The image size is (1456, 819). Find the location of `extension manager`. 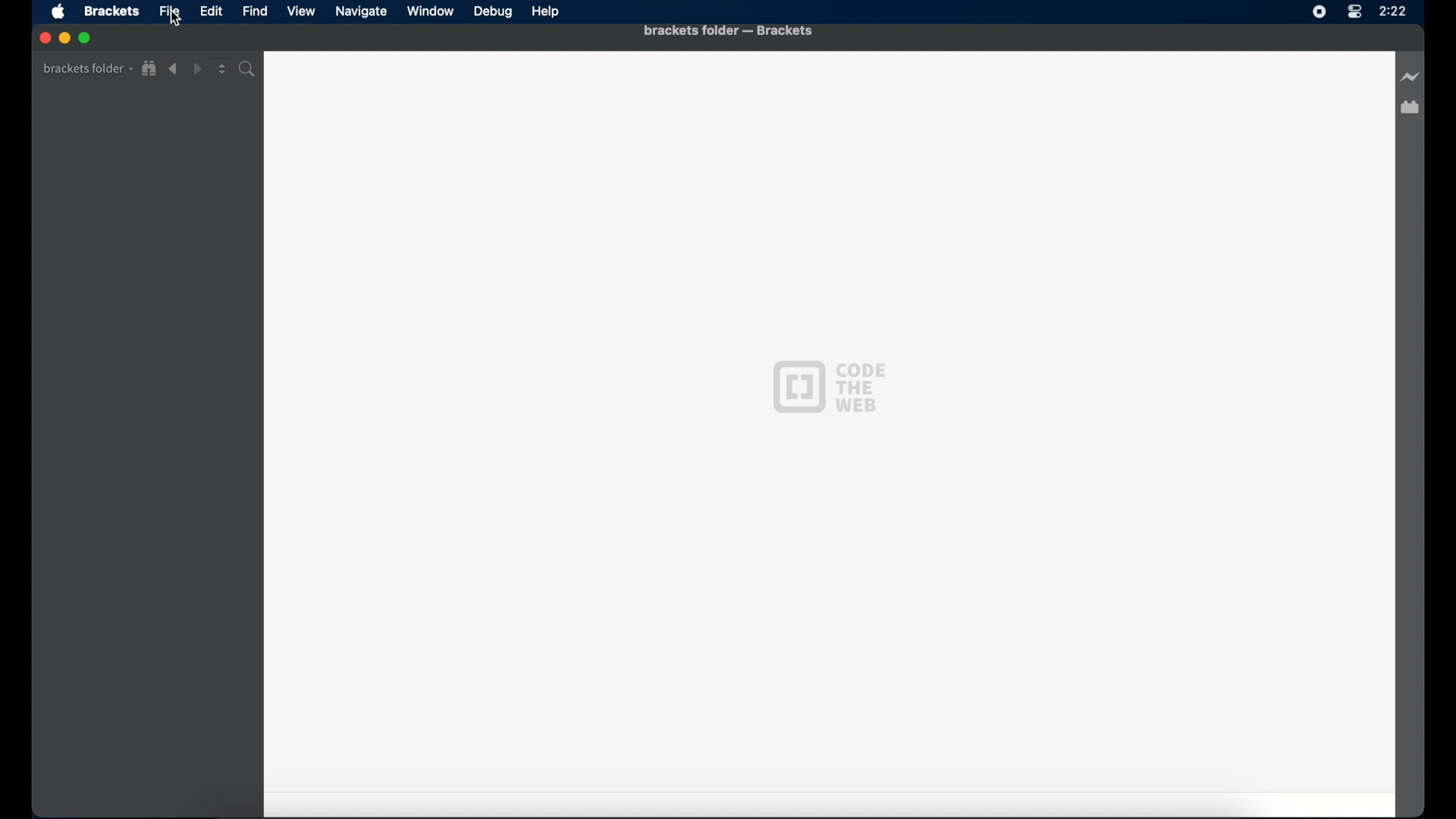

extension manager is located at coordinates (1413, 116).